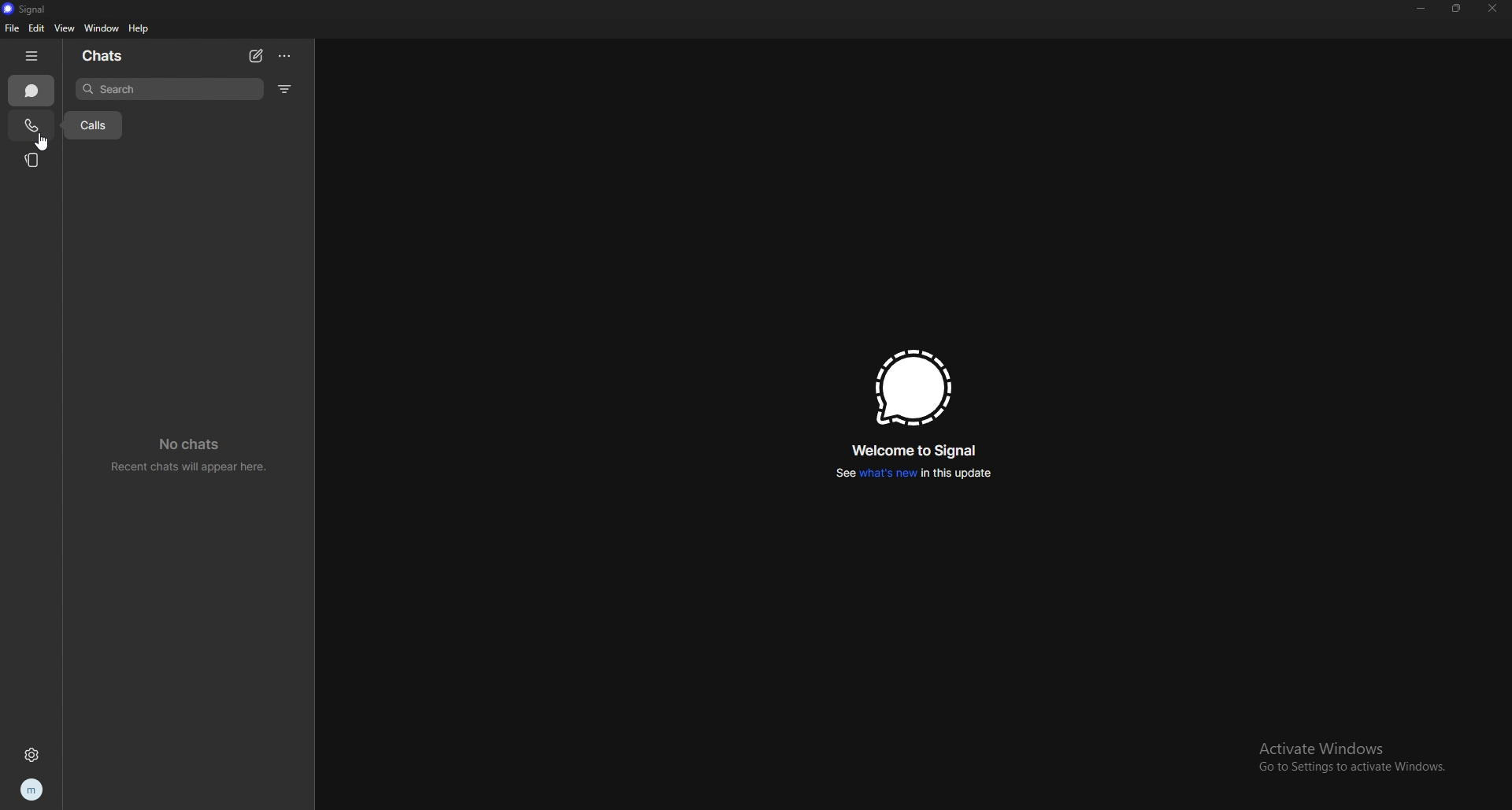  Describe the element at coordinates (33, 159) in the screenshot. I see `stories` at that location.